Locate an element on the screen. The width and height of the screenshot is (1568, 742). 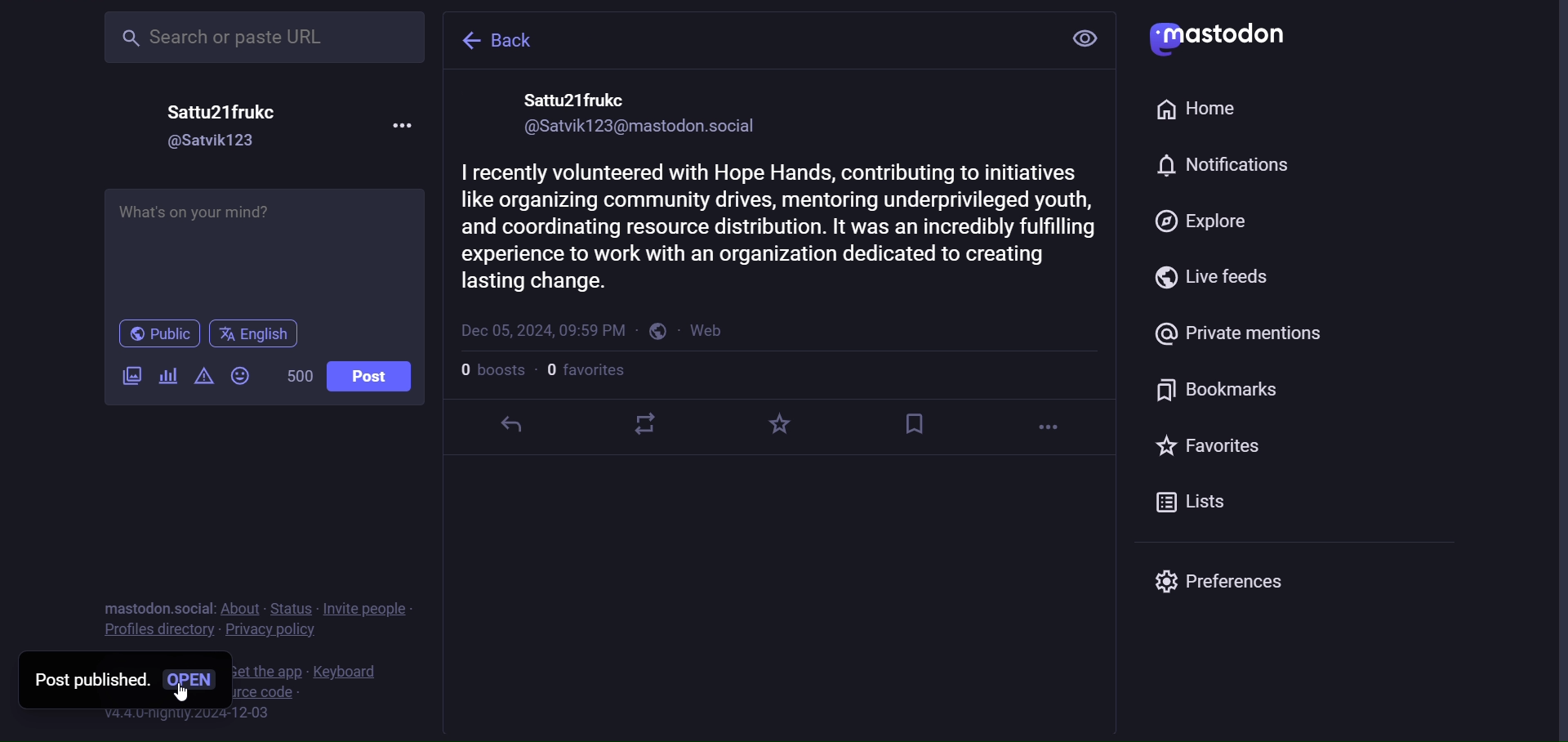
emoji is located at coordinates (240, 376).